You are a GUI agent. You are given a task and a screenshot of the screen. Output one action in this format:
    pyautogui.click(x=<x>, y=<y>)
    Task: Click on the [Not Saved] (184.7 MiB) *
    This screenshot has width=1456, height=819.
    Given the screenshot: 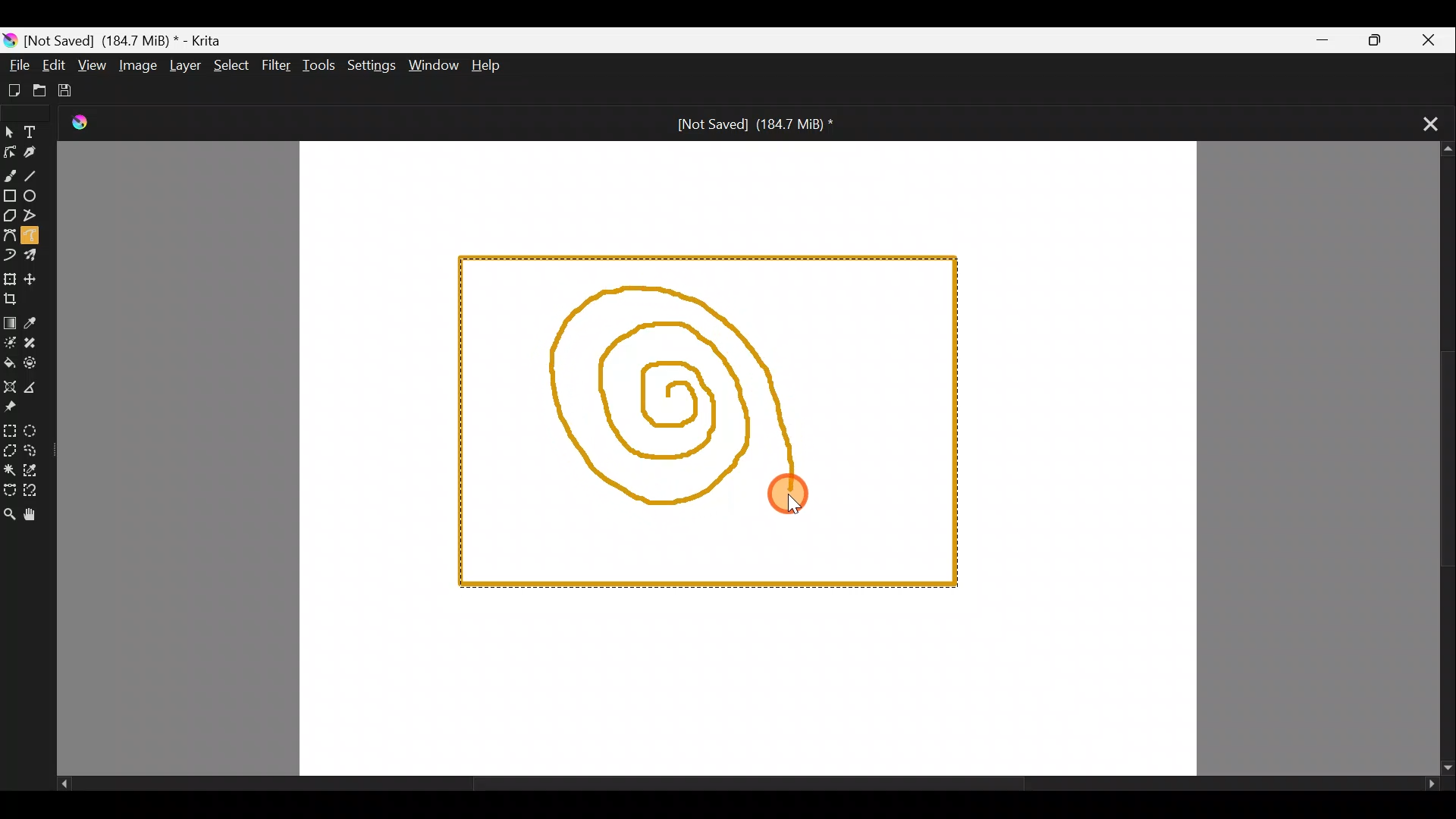 What is the action you would take?
    pyautogui.click(x=759, y=124)
    